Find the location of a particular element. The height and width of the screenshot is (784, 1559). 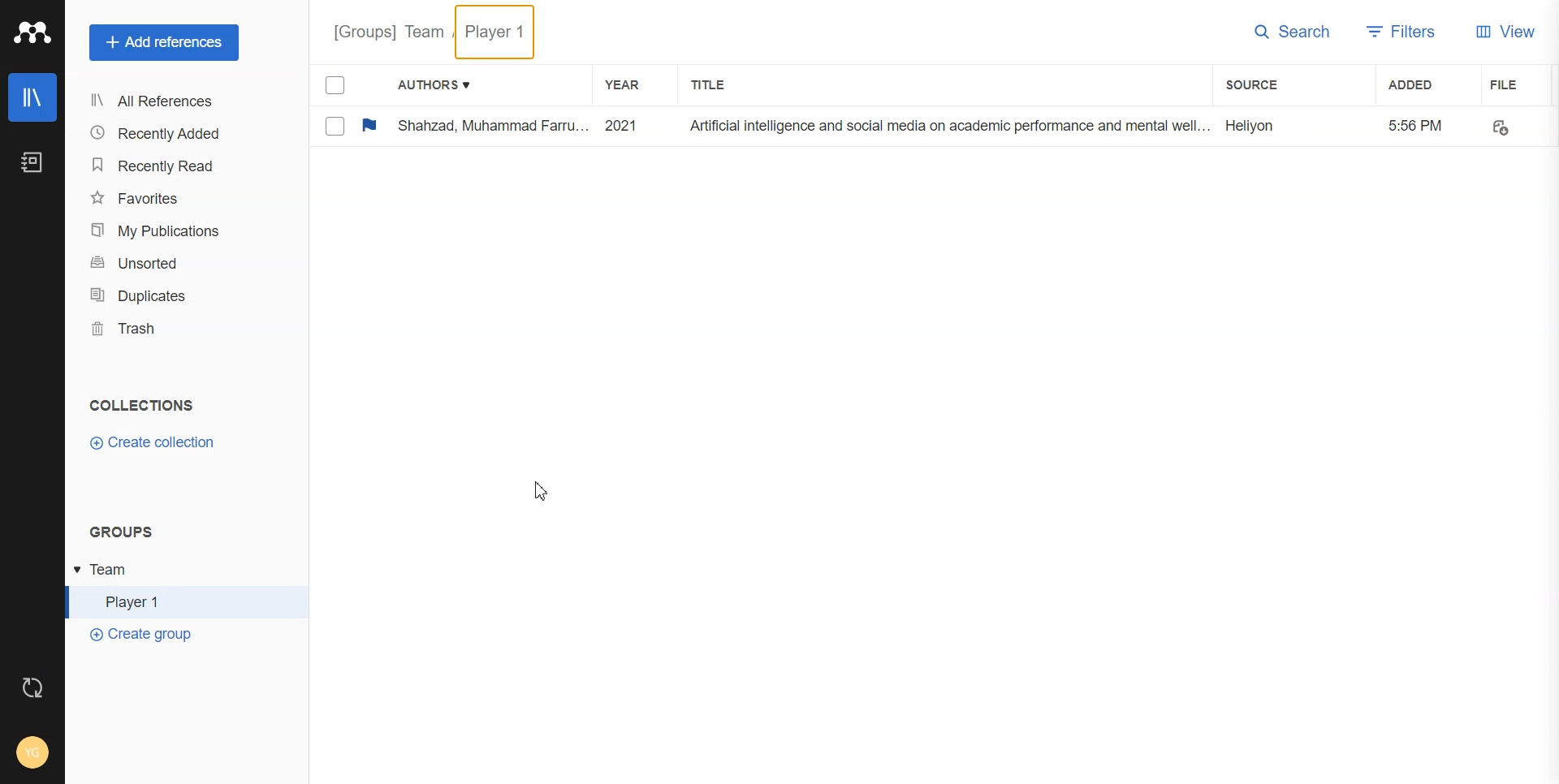

Library is located at coordinates (33, 98).